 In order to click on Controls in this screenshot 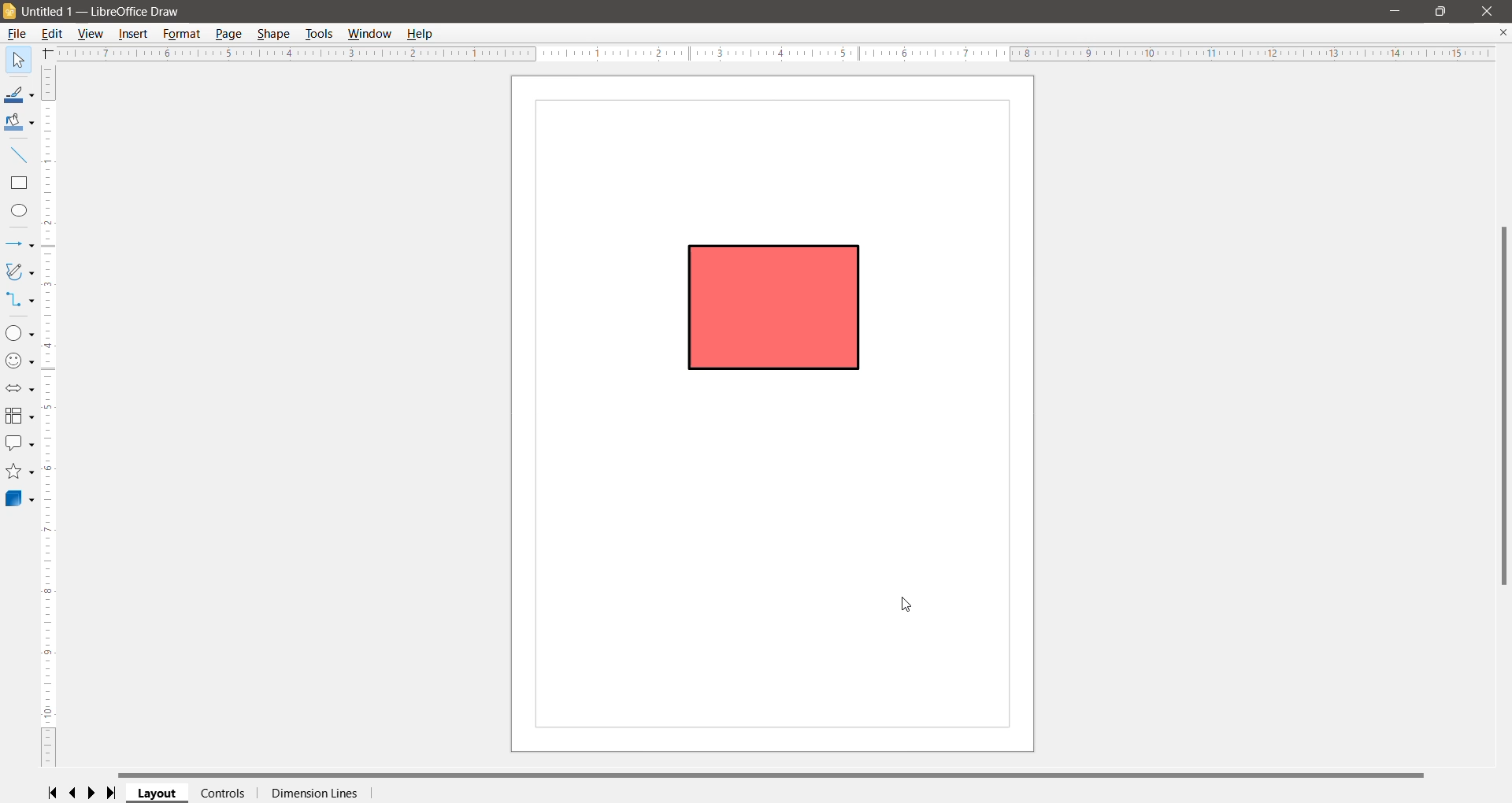, I will do `click(224, 794)`.